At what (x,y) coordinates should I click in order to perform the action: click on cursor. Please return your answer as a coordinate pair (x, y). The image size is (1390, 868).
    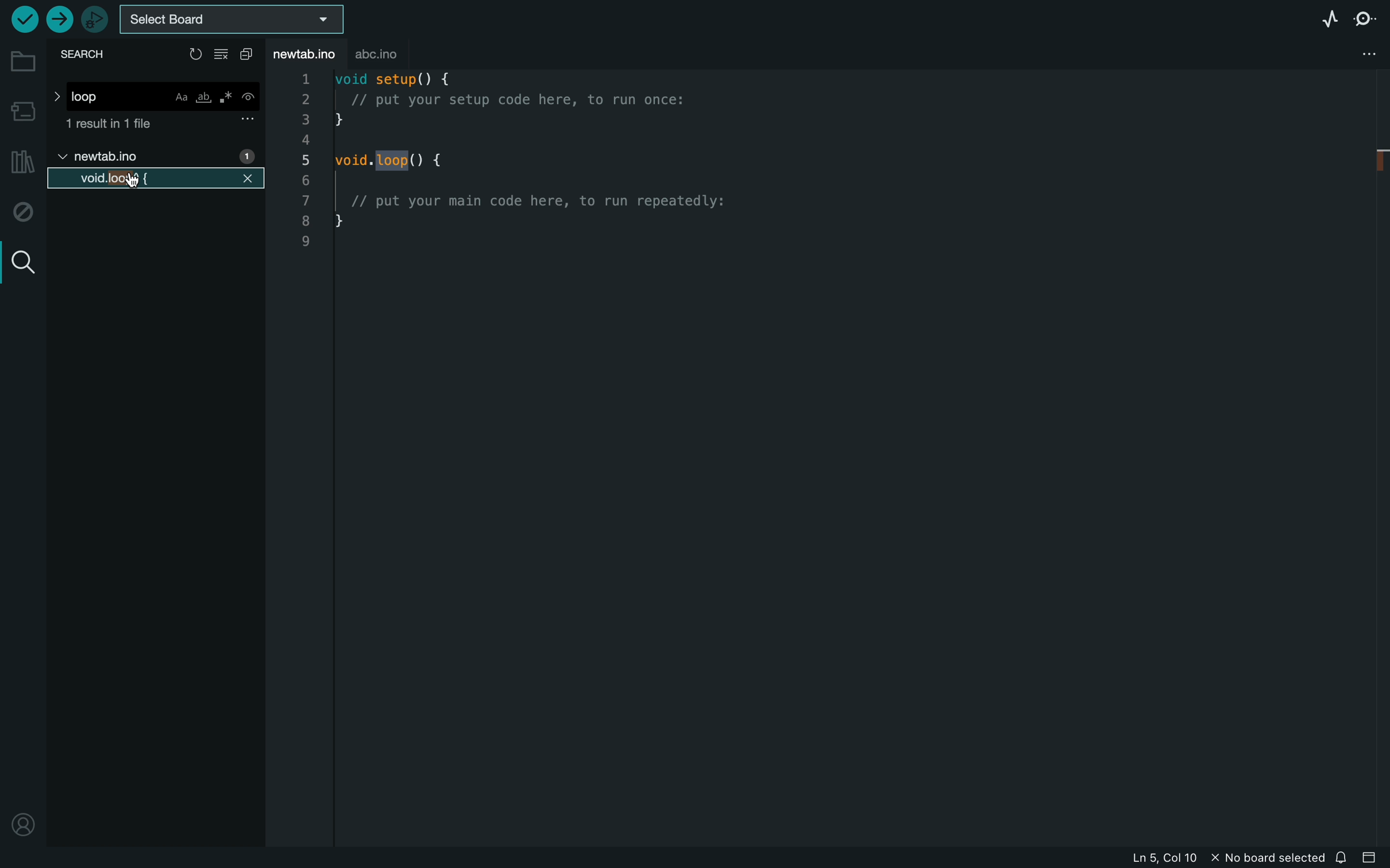
    Looking at the image, I should click on (130, 181).